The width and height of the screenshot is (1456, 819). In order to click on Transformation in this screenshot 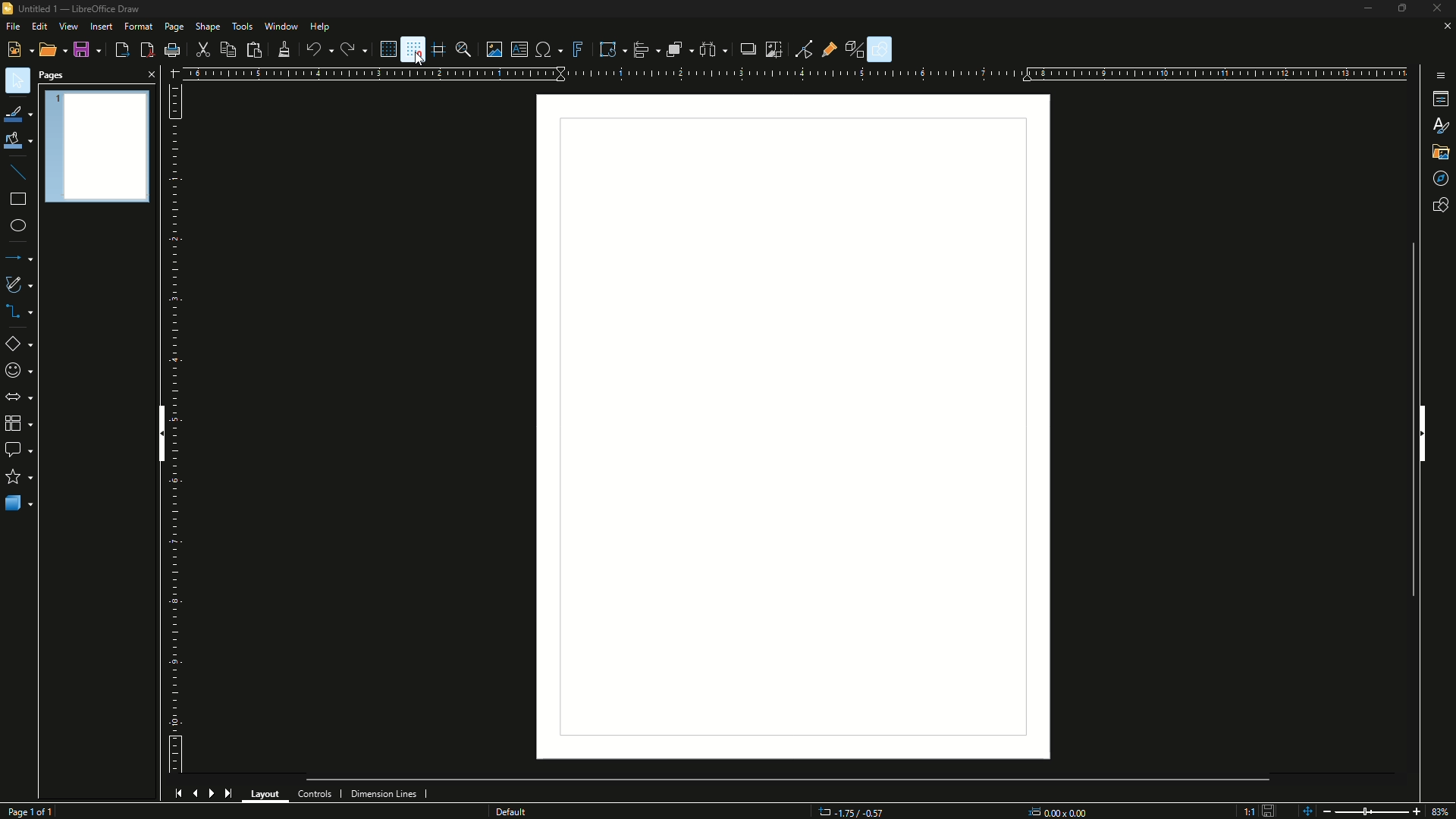, I will do `click(608, 49)`.